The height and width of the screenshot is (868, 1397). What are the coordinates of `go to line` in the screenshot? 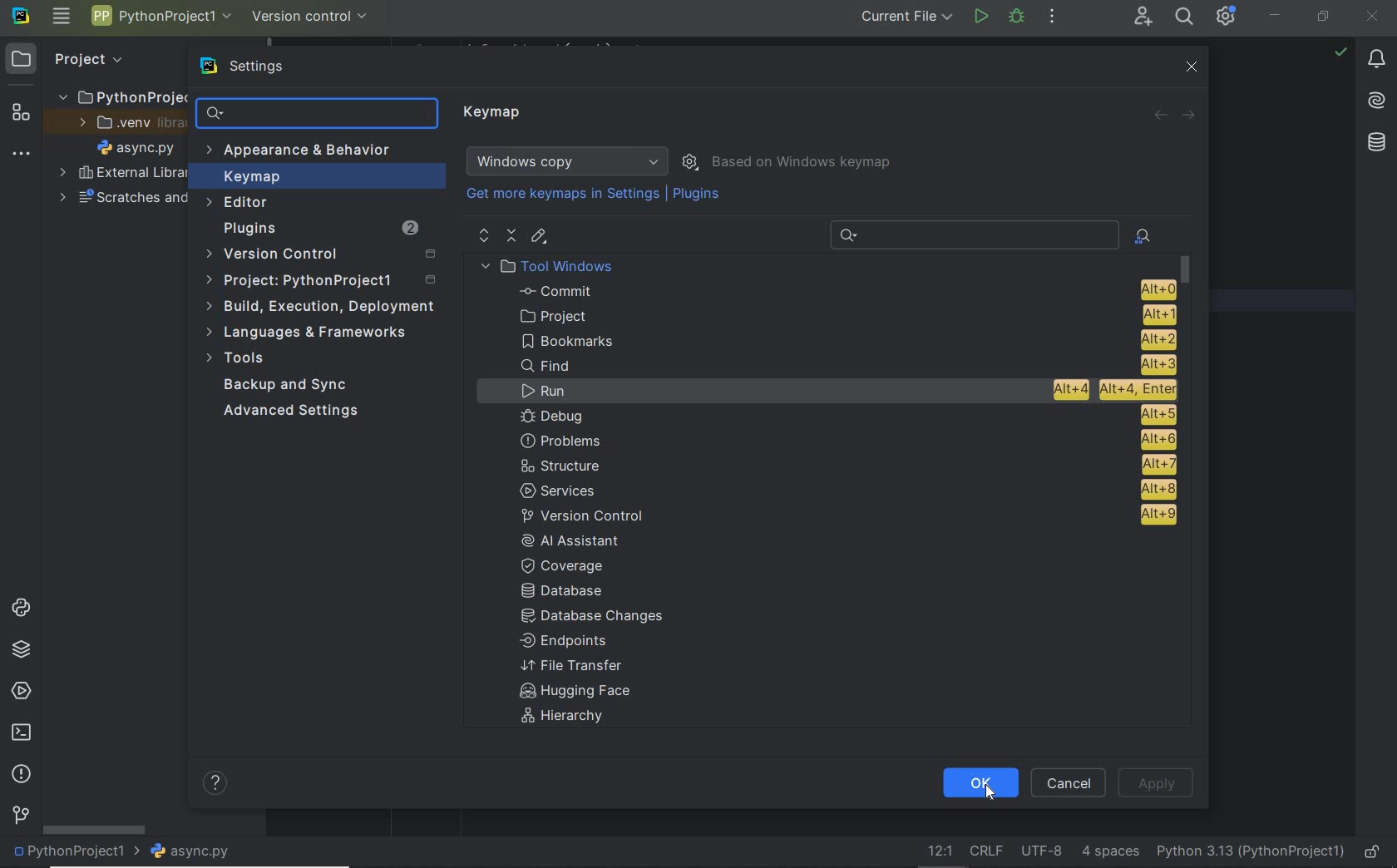 It's located at (937, 852).